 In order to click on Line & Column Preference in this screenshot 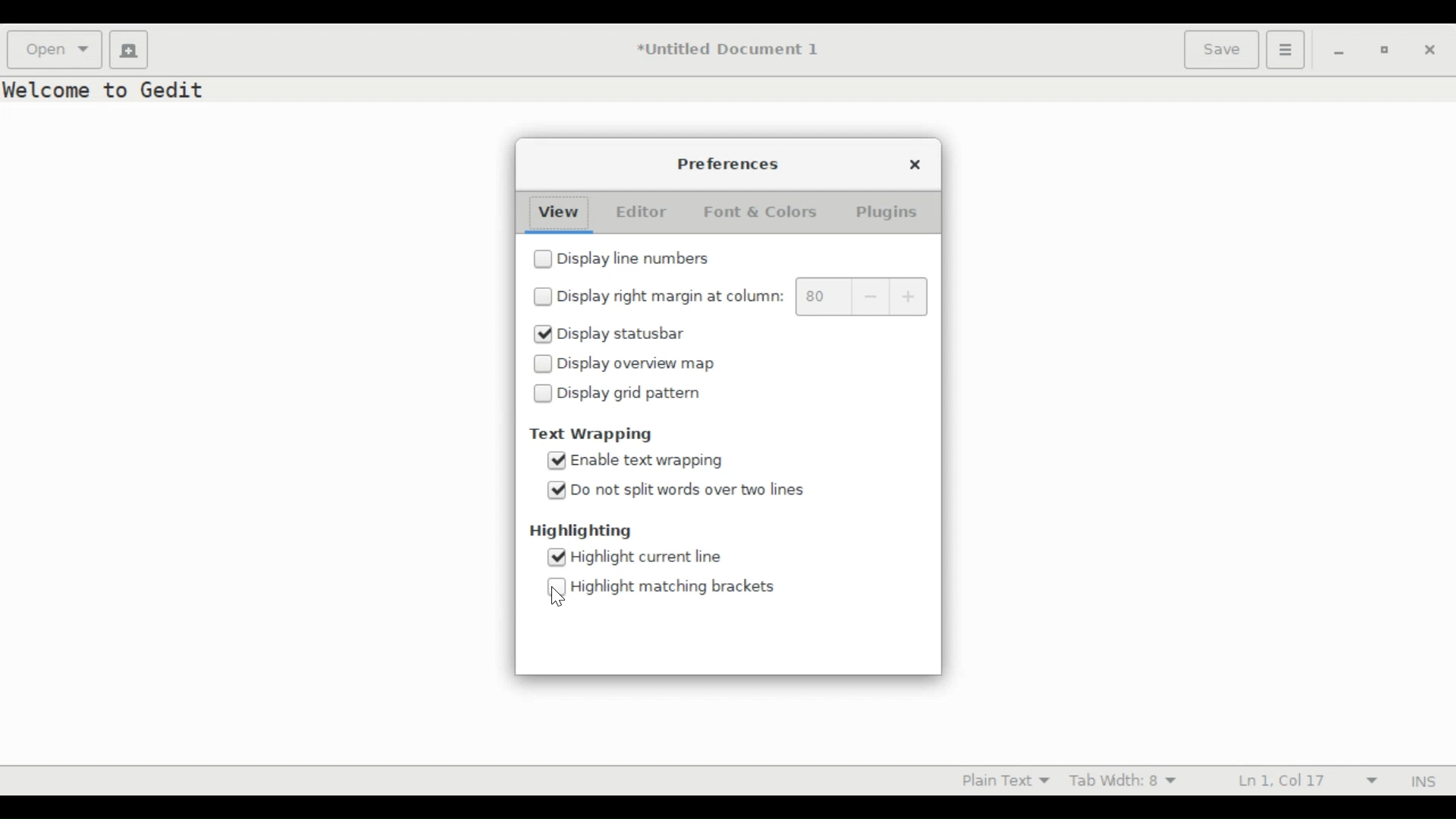, I will do `click(1304, 779)`.